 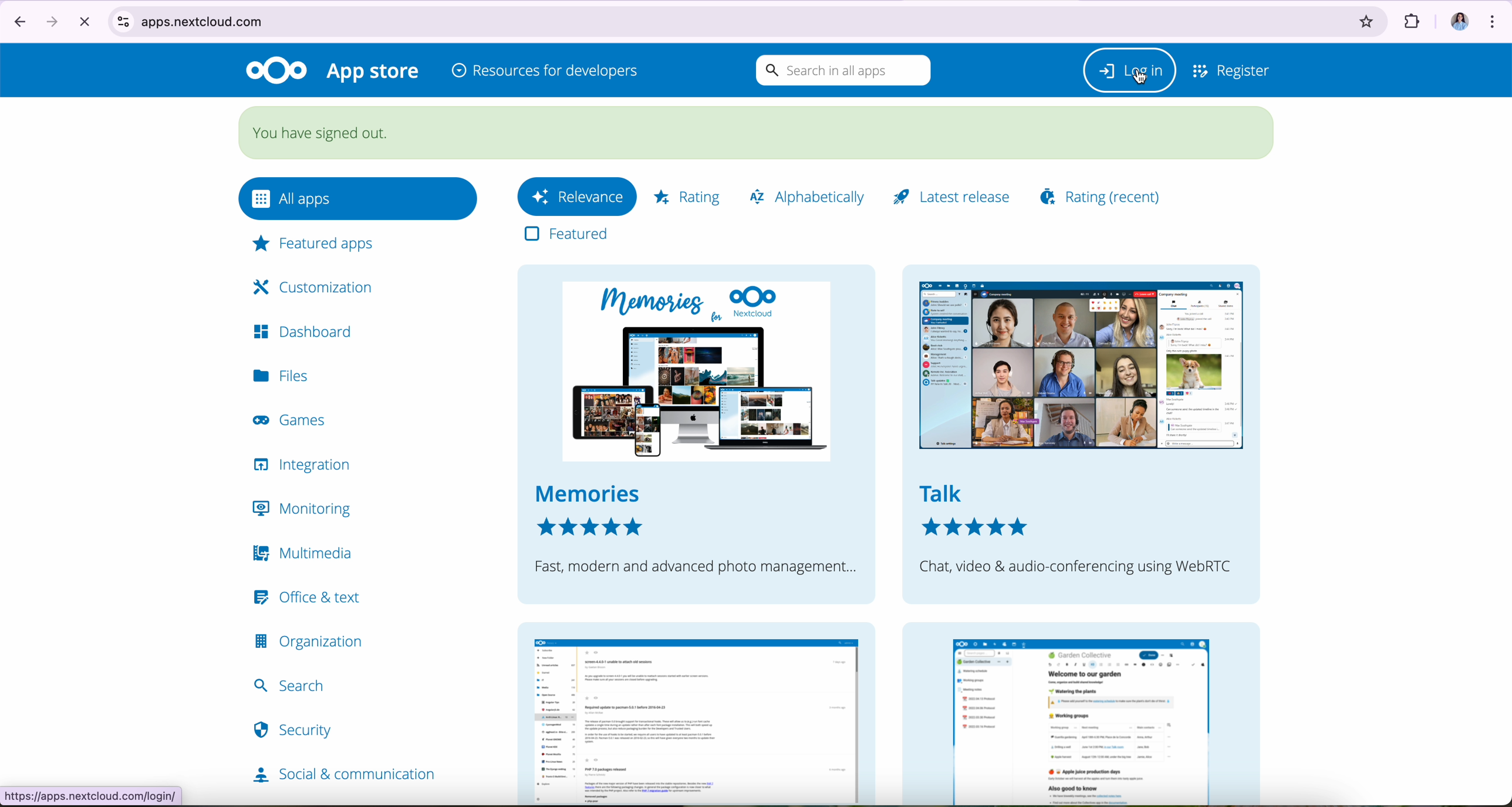 I want to click on favorites, so click(x=1364, y=23).